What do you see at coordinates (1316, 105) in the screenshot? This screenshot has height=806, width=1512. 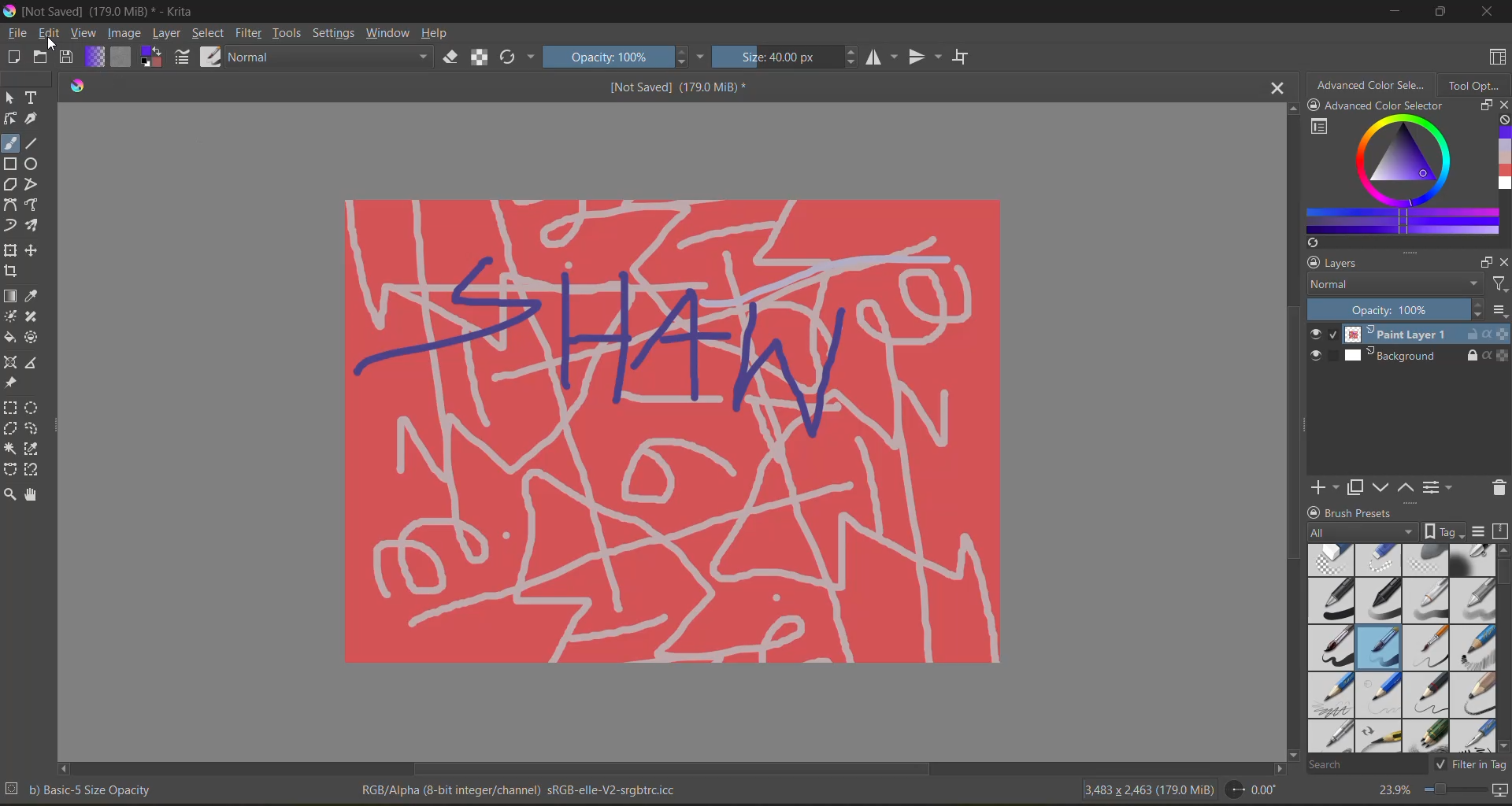 I see `lock docker` at bounding box center [1316, 105].